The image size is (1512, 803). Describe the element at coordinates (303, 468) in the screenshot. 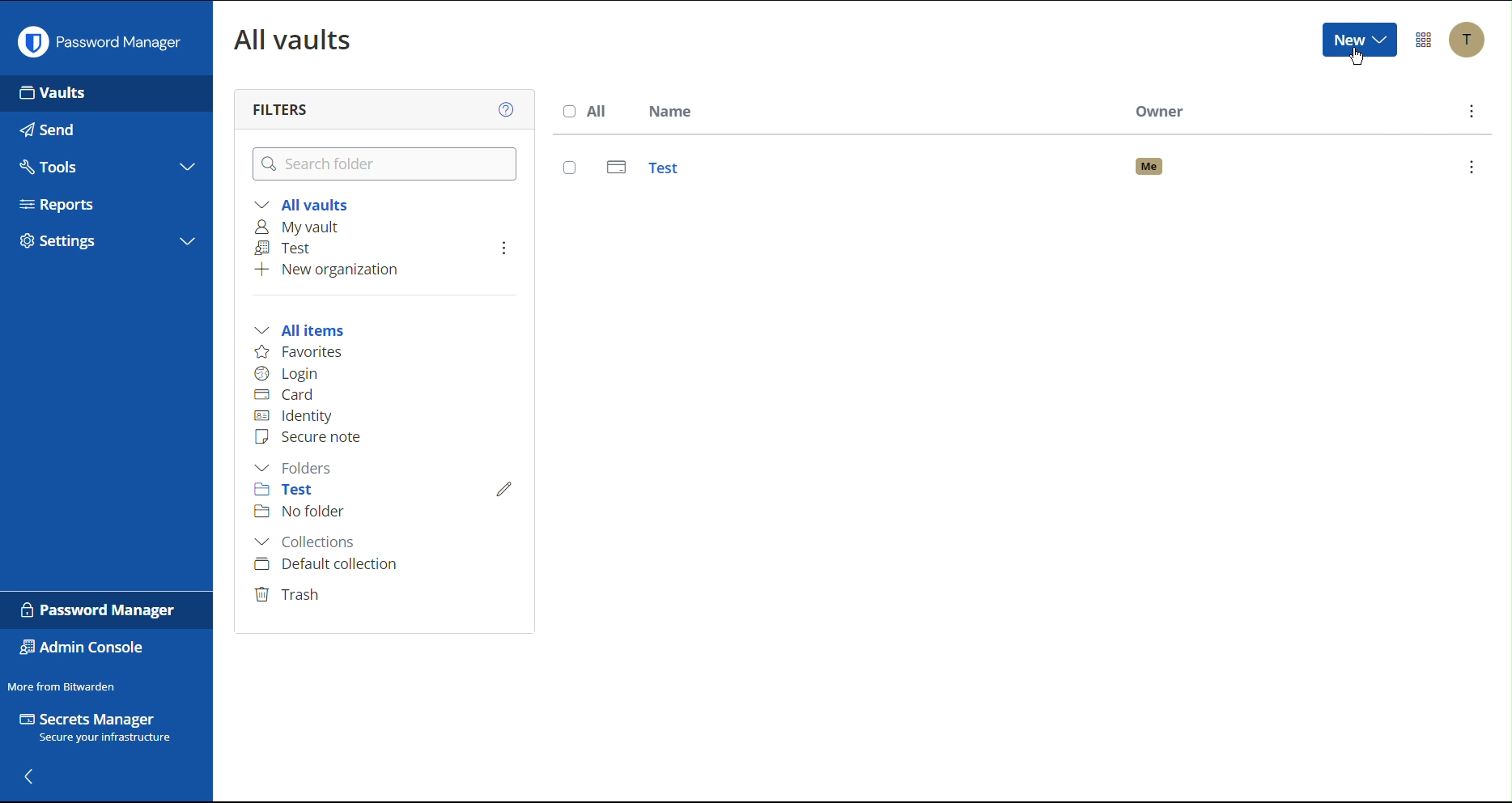

I see `Folders` at that location.